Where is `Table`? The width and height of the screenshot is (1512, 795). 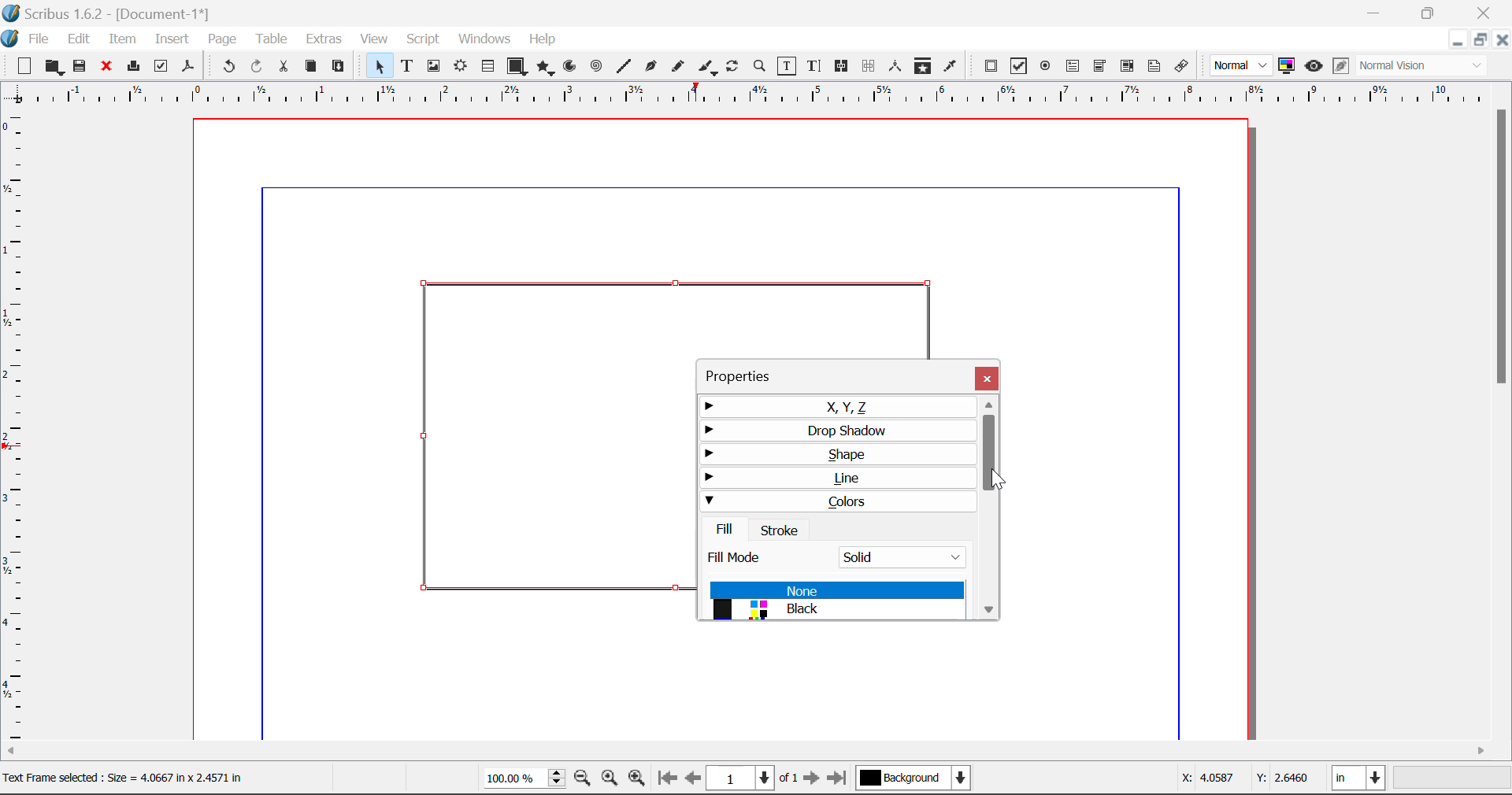
Table is located at coordinates (271, 38).